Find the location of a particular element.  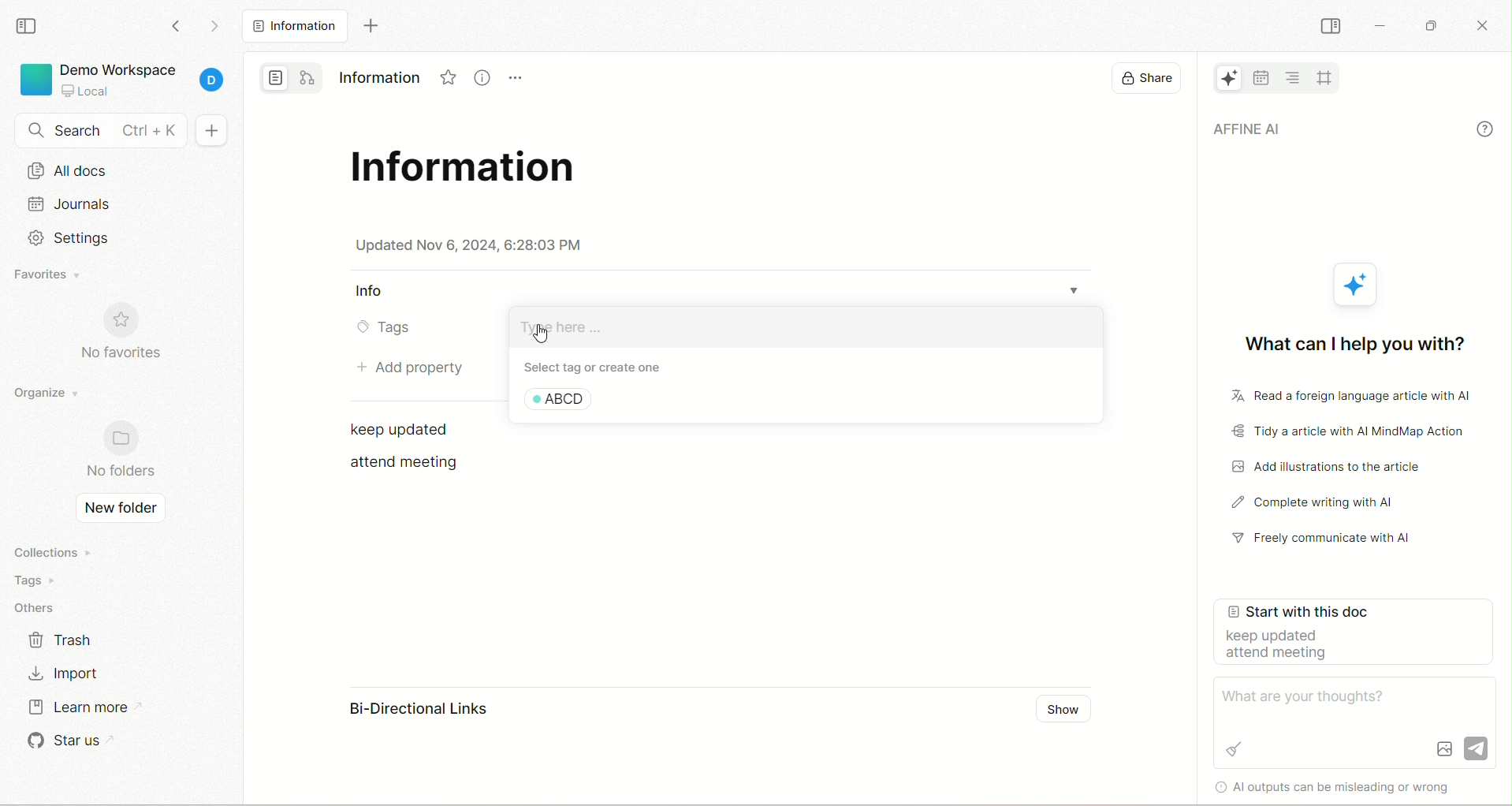

Dropdown menu is located at coordinates (1076, 287).